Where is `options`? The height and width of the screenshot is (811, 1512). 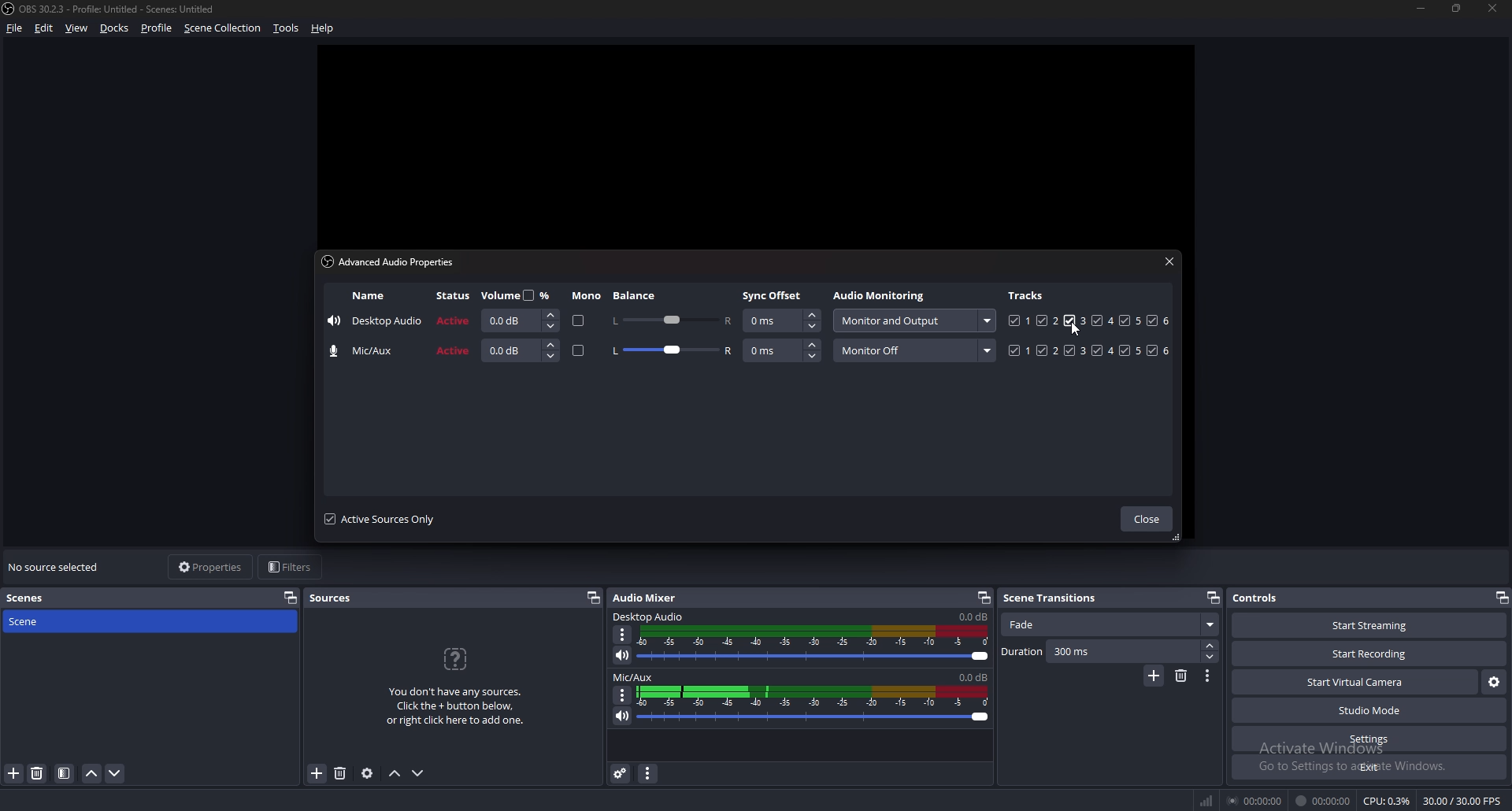
options is located at coordinates (623, 694).